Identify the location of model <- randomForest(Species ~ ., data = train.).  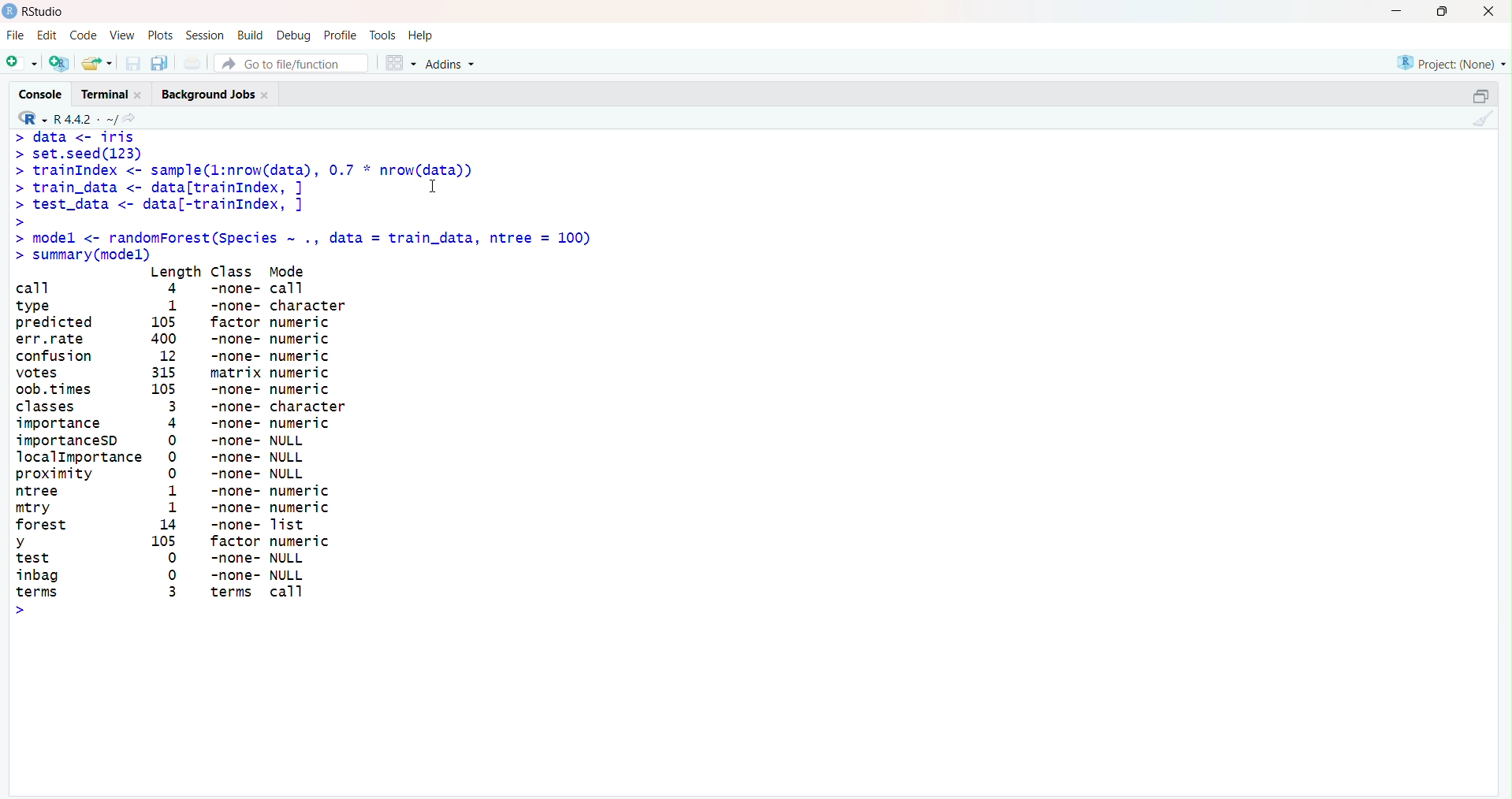
(316, 238).